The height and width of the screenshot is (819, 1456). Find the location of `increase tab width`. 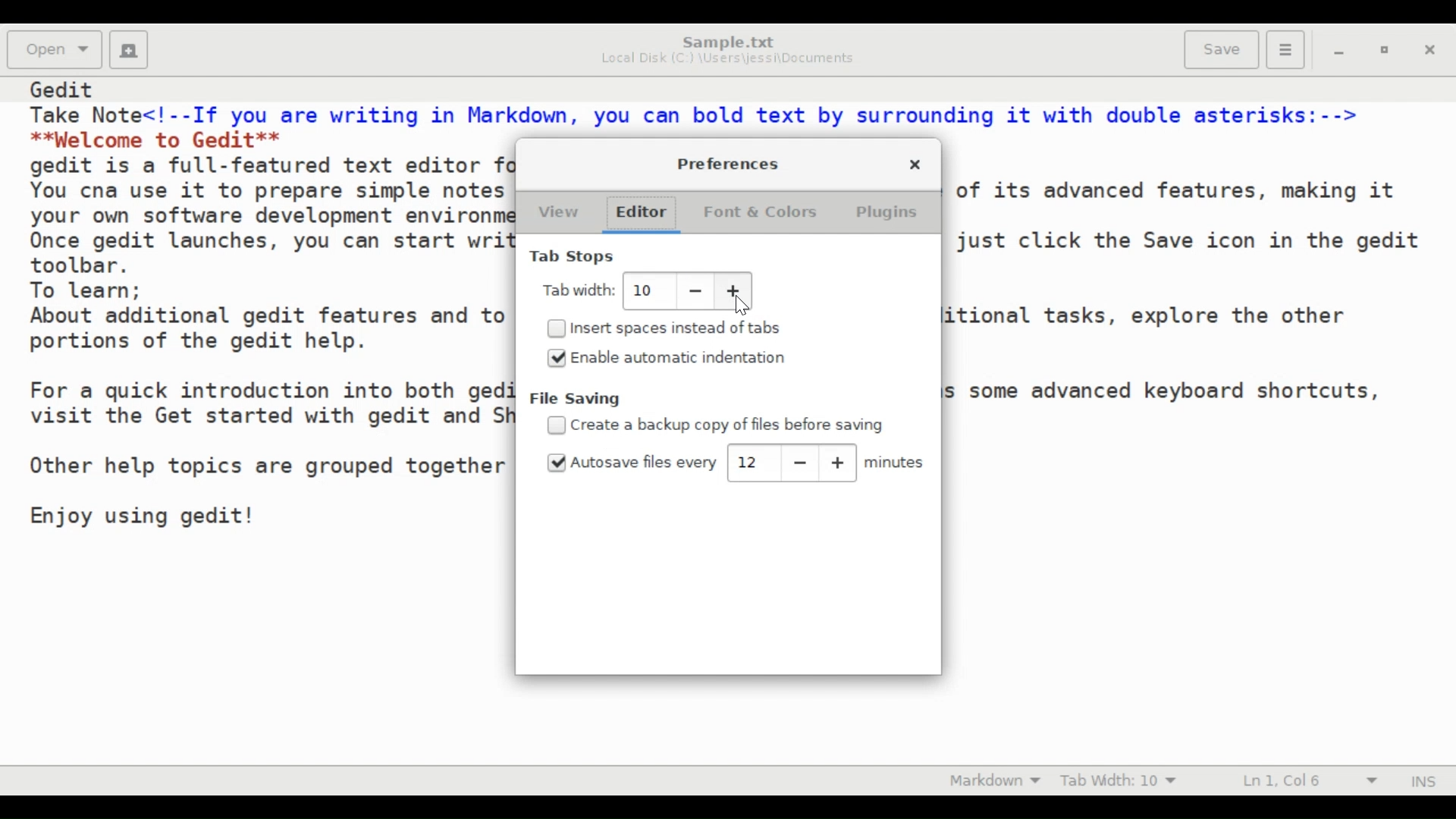

increase tab width is located at coordinates (732, 290).